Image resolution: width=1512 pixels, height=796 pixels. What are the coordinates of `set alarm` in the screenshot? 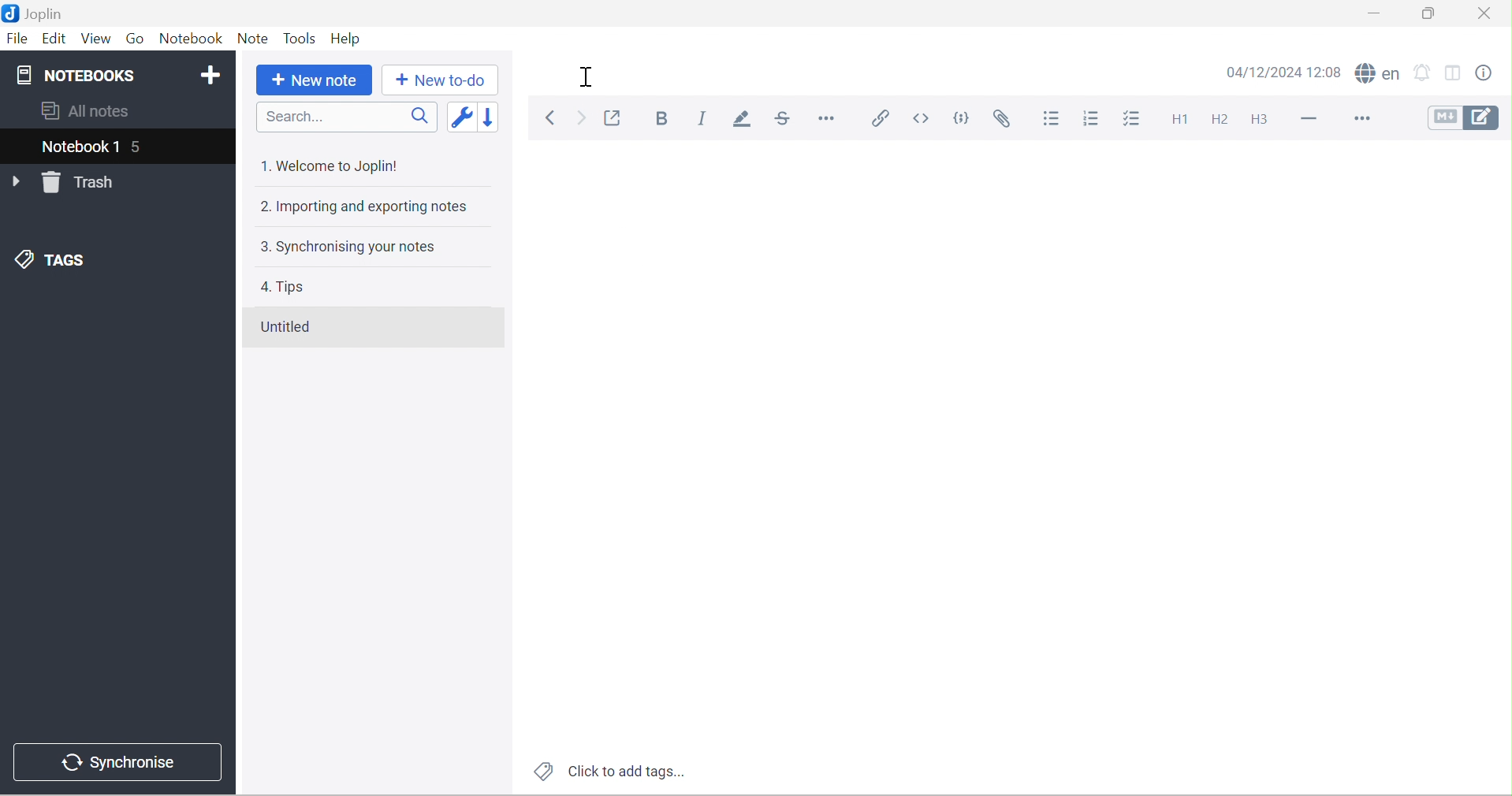 It's located at (1423, 71).